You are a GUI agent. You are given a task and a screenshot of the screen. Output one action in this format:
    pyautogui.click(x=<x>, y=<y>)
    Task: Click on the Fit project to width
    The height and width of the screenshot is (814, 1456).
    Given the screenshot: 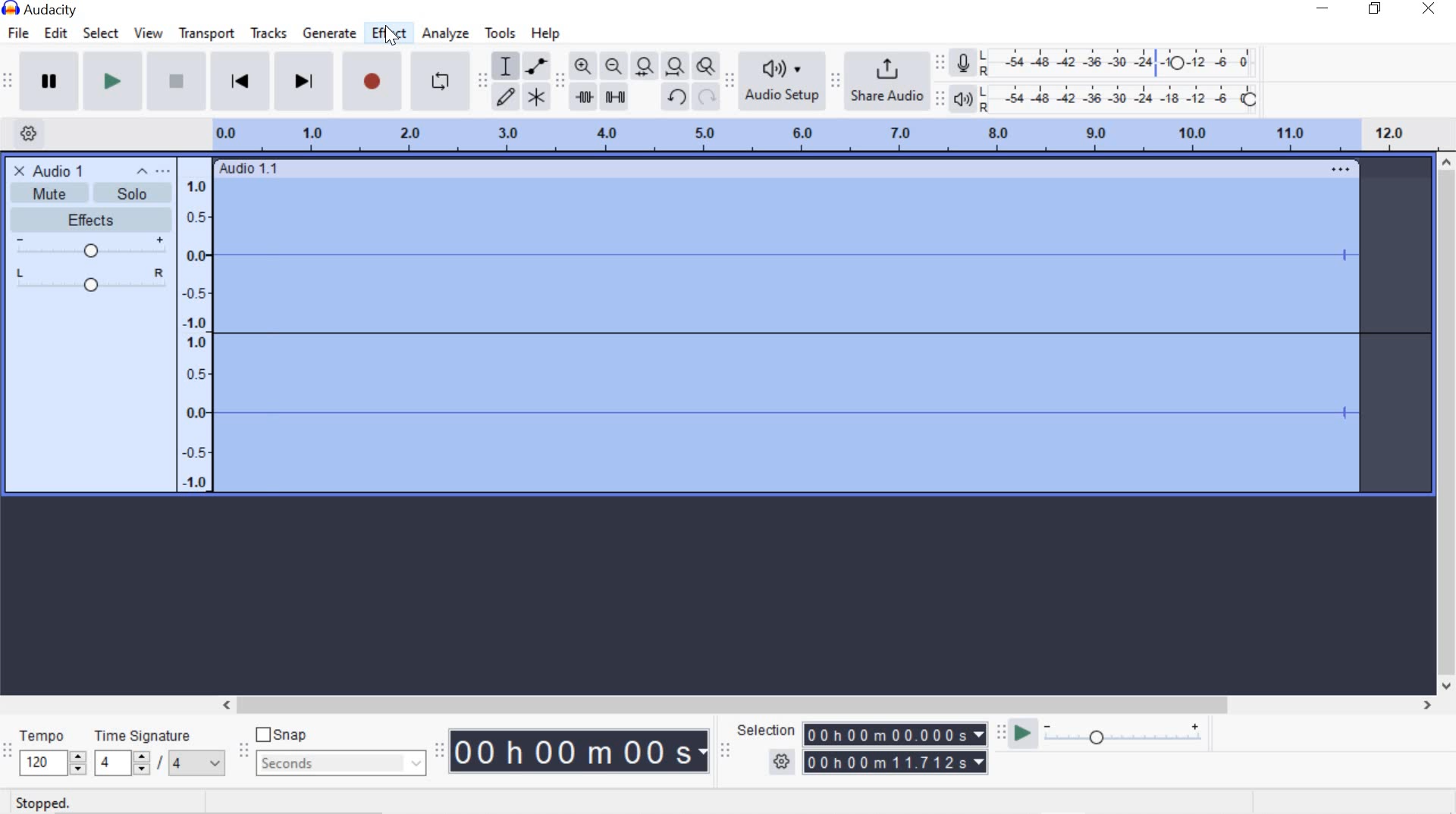 What is the action you would take?
    pyautogui.click(x=676, y=67)
    